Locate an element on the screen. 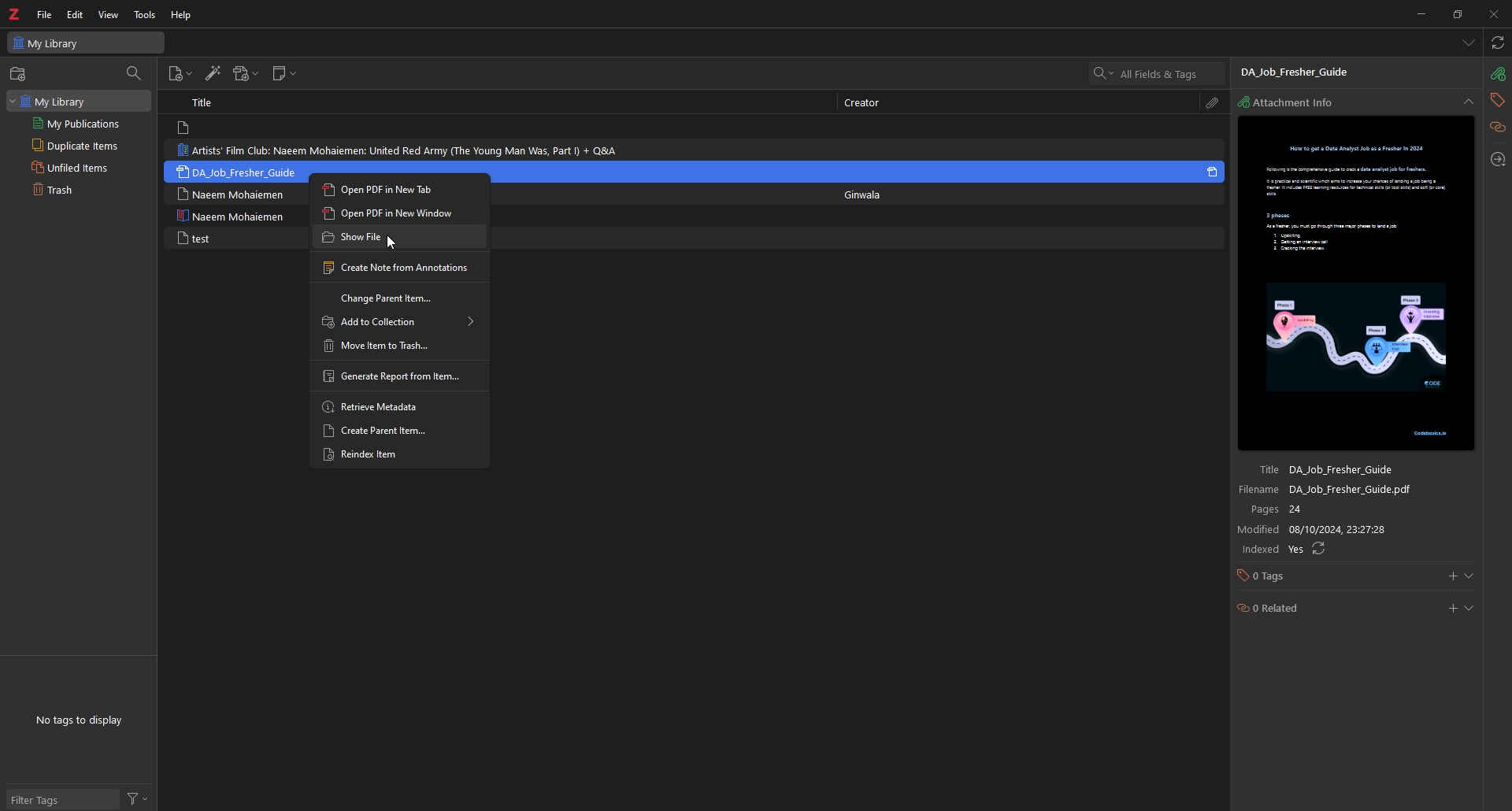 Image resolution: width=1512 pixels, height=811 pixels. add tags is located at coordinates (1451, 576).